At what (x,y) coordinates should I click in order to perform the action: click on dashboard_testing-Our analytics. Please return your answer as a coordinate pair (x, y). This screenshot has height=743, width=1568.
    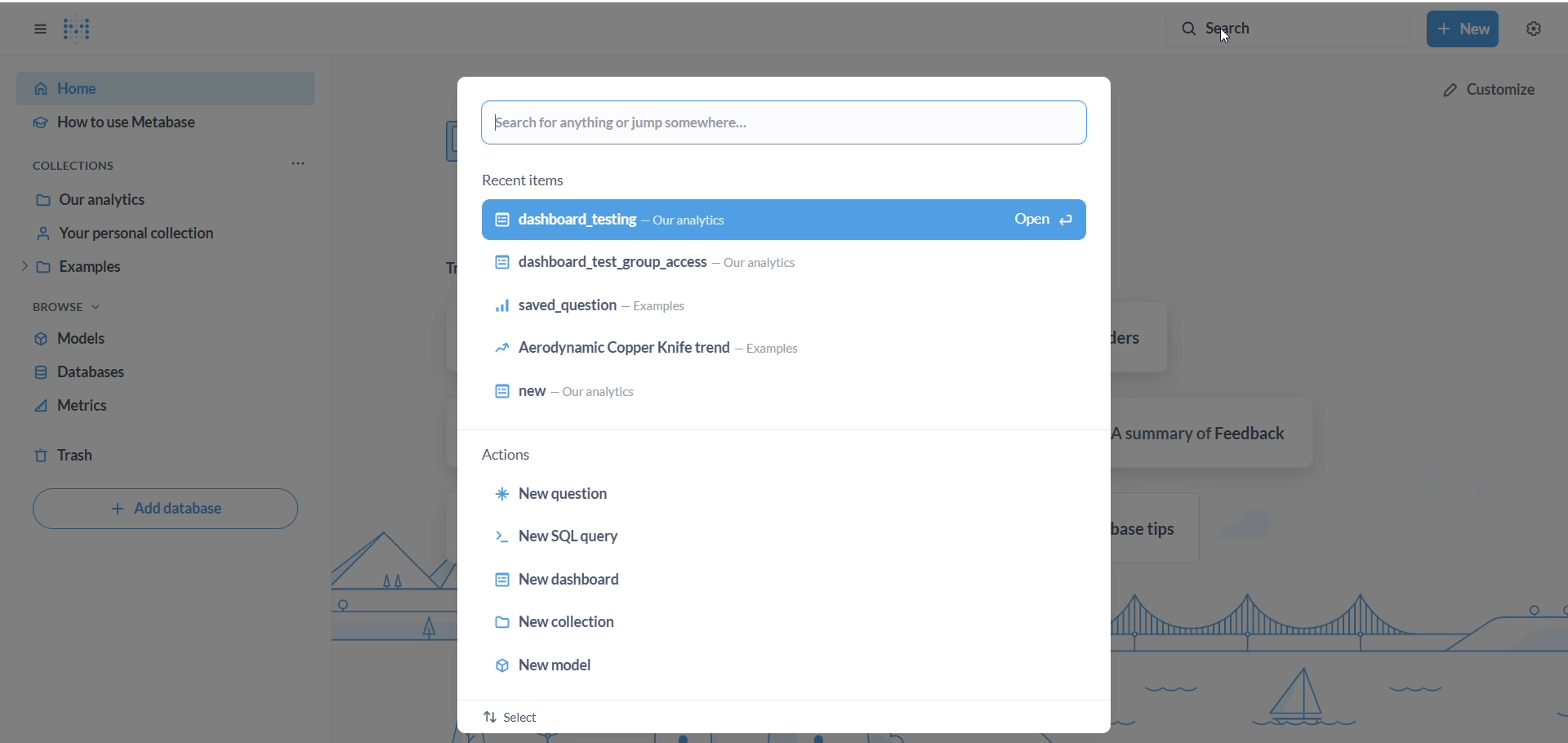
    Looking at the image, I should click on (783, 220).